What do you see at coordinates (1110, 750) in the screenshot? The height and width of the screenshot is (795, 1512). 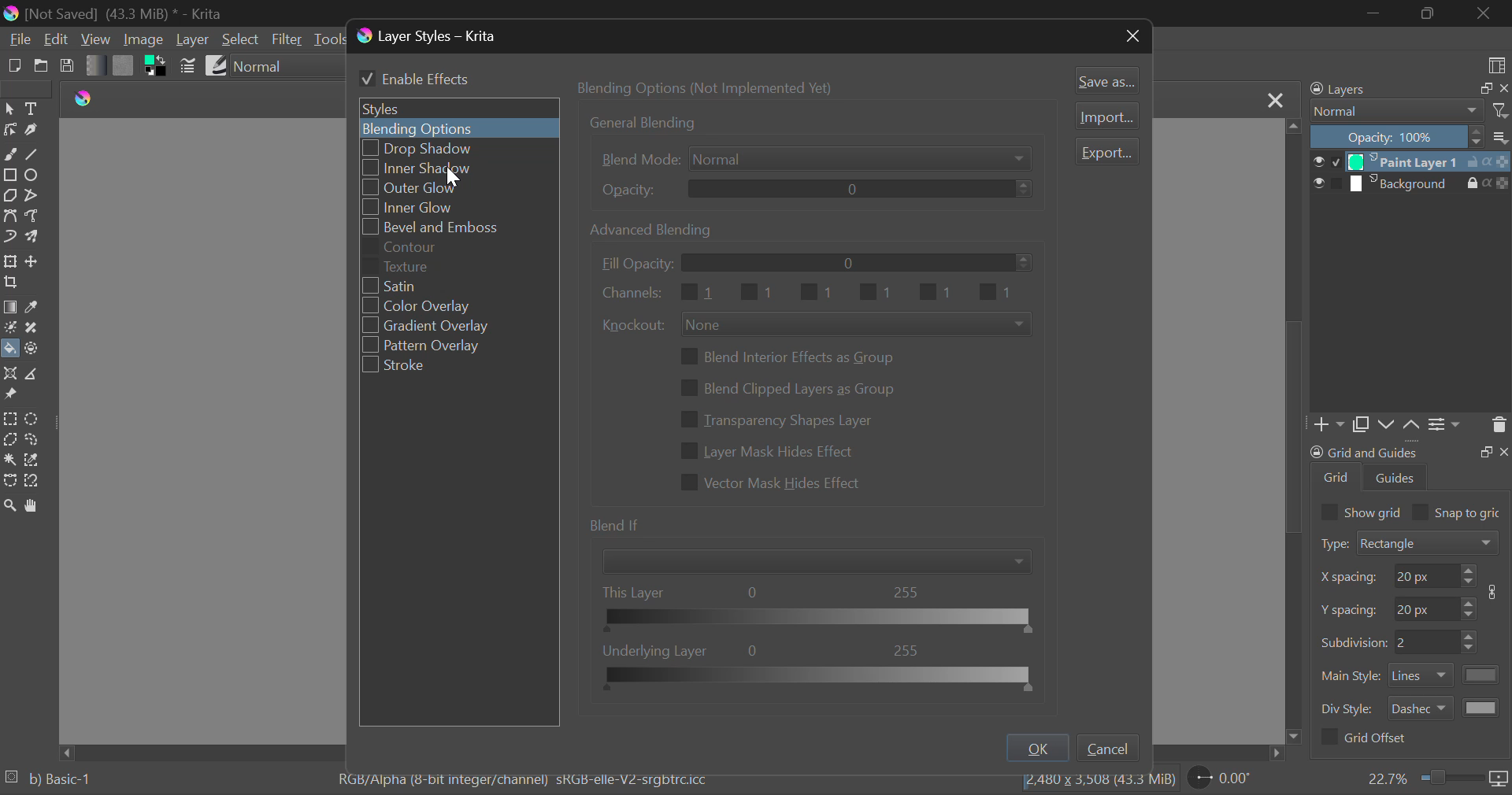 I see `Cancel` at bounding box center [1110, 750].